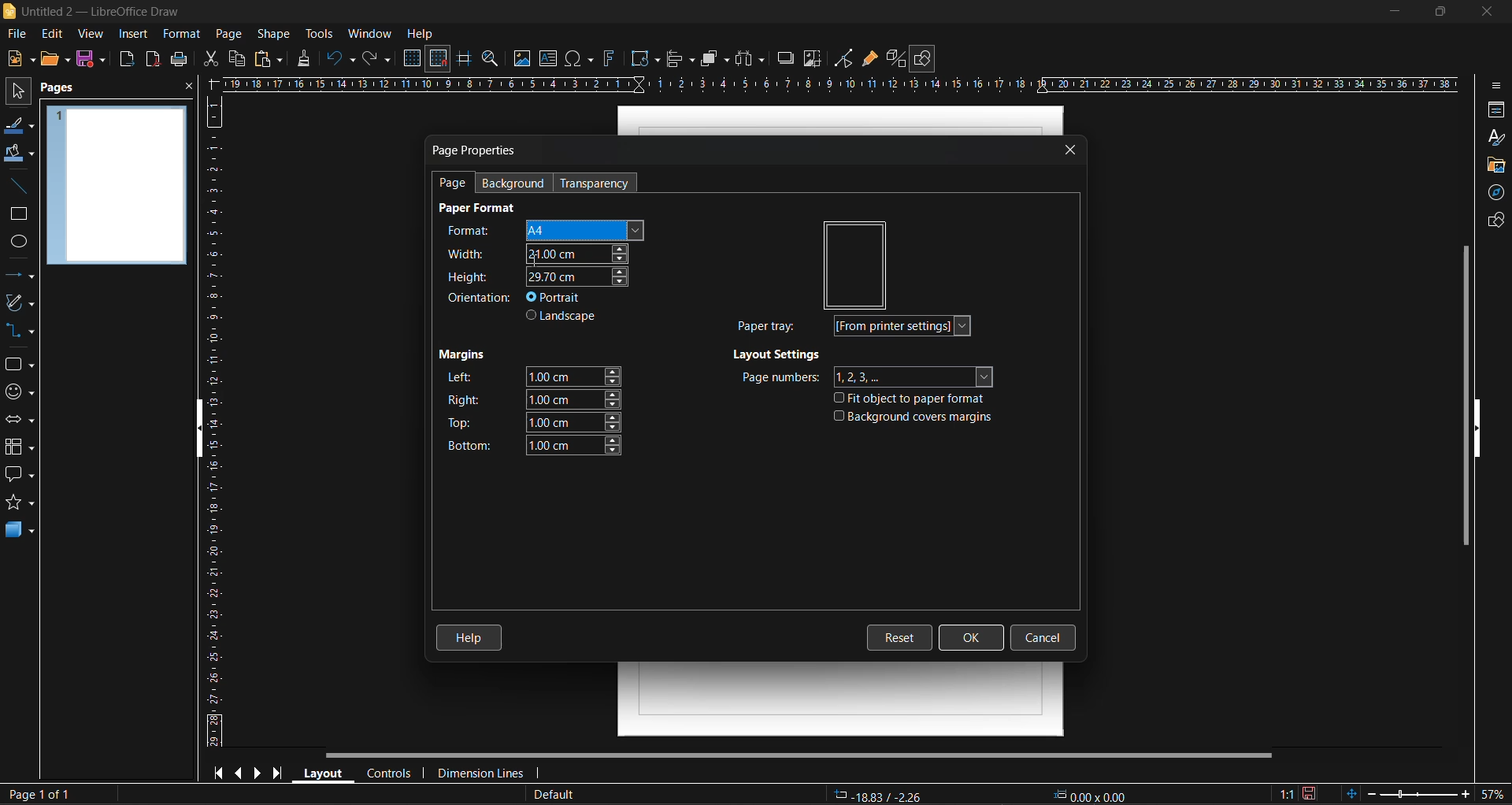 Image resolution: width=1512 pixels, height=805 pixels. Describe the element at coordinates (471, 634) in the screenshot. I see `help` at that location.